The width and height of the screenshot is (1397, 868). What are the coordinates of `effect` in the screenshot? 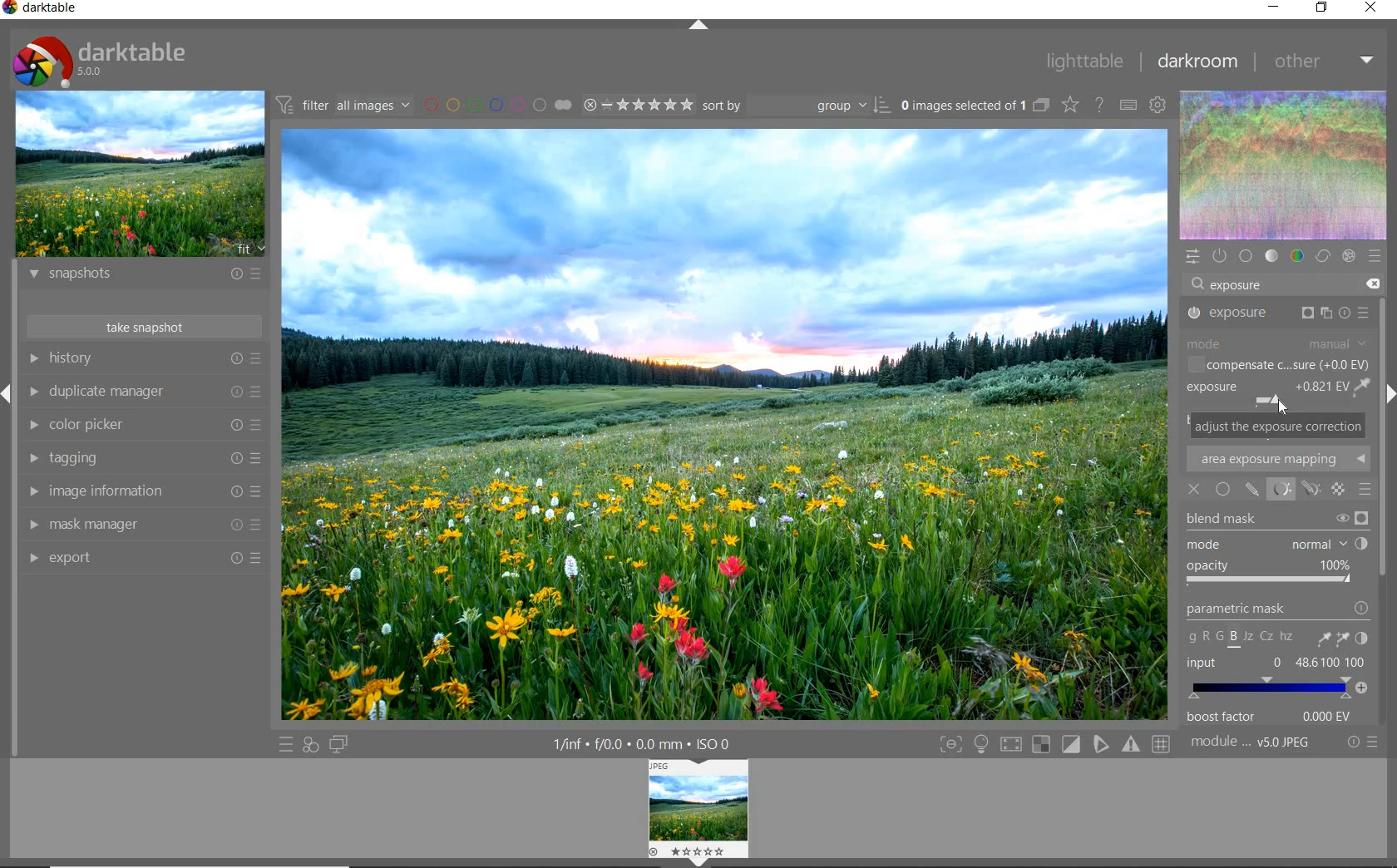 It's located at (1348, 258).